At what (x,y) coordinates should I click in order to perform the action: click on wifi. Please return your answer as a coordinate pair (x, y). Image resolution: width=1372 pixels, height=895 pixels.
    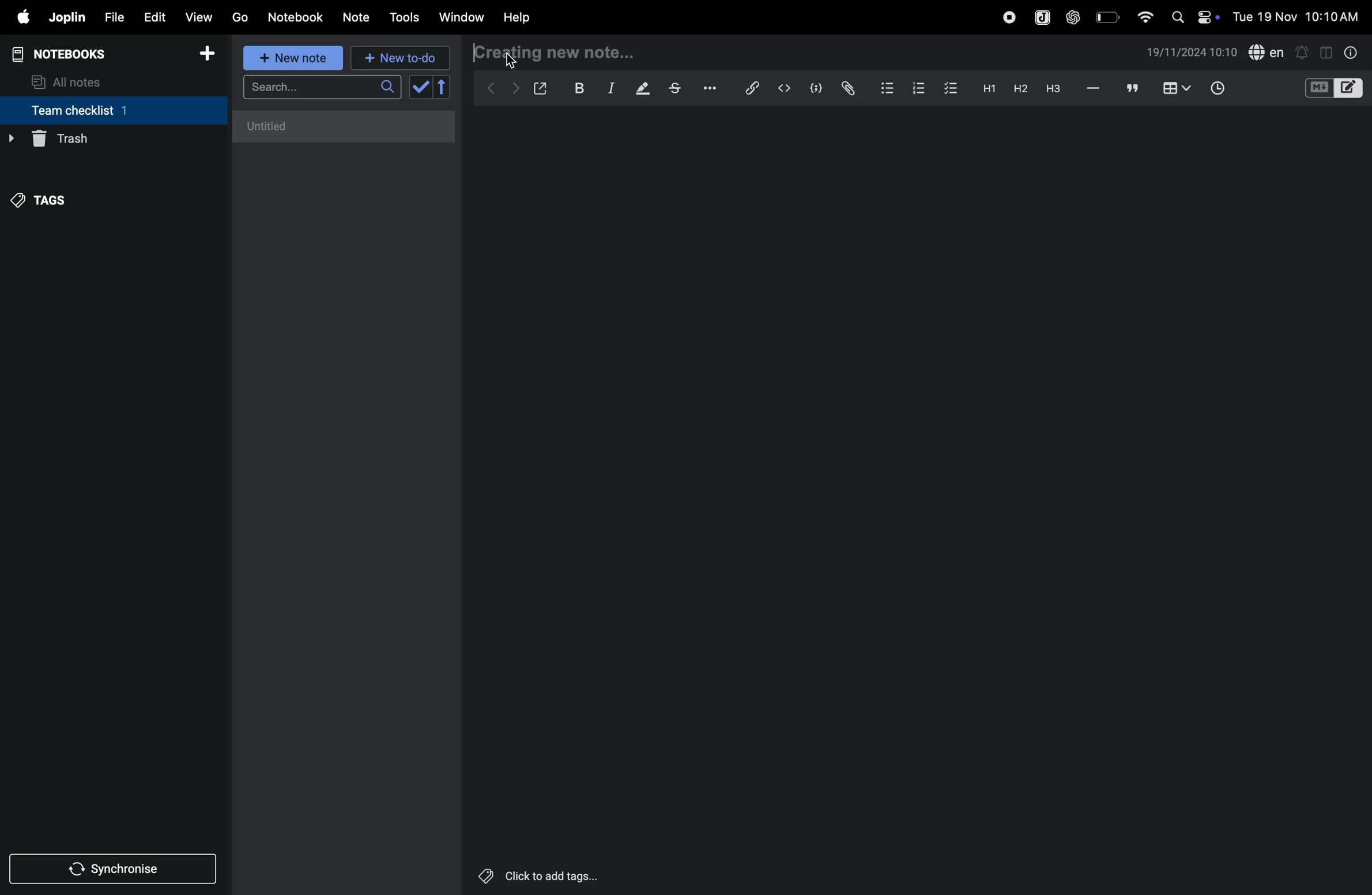
    Looking at the image, I should click on (1141, 16).